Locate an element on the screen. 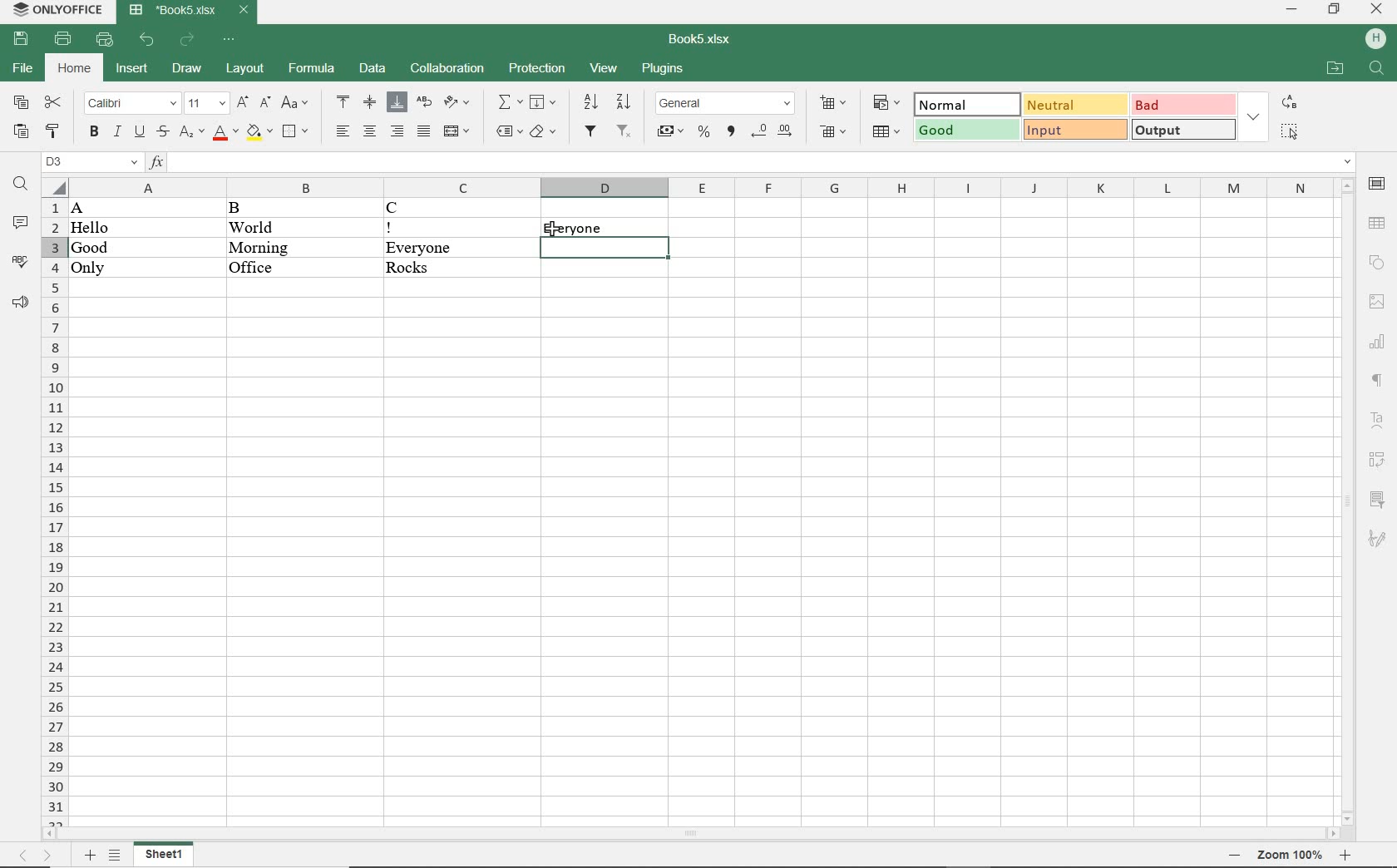 The image size is (1397, 868). font color is located at coordinates (225, 134).